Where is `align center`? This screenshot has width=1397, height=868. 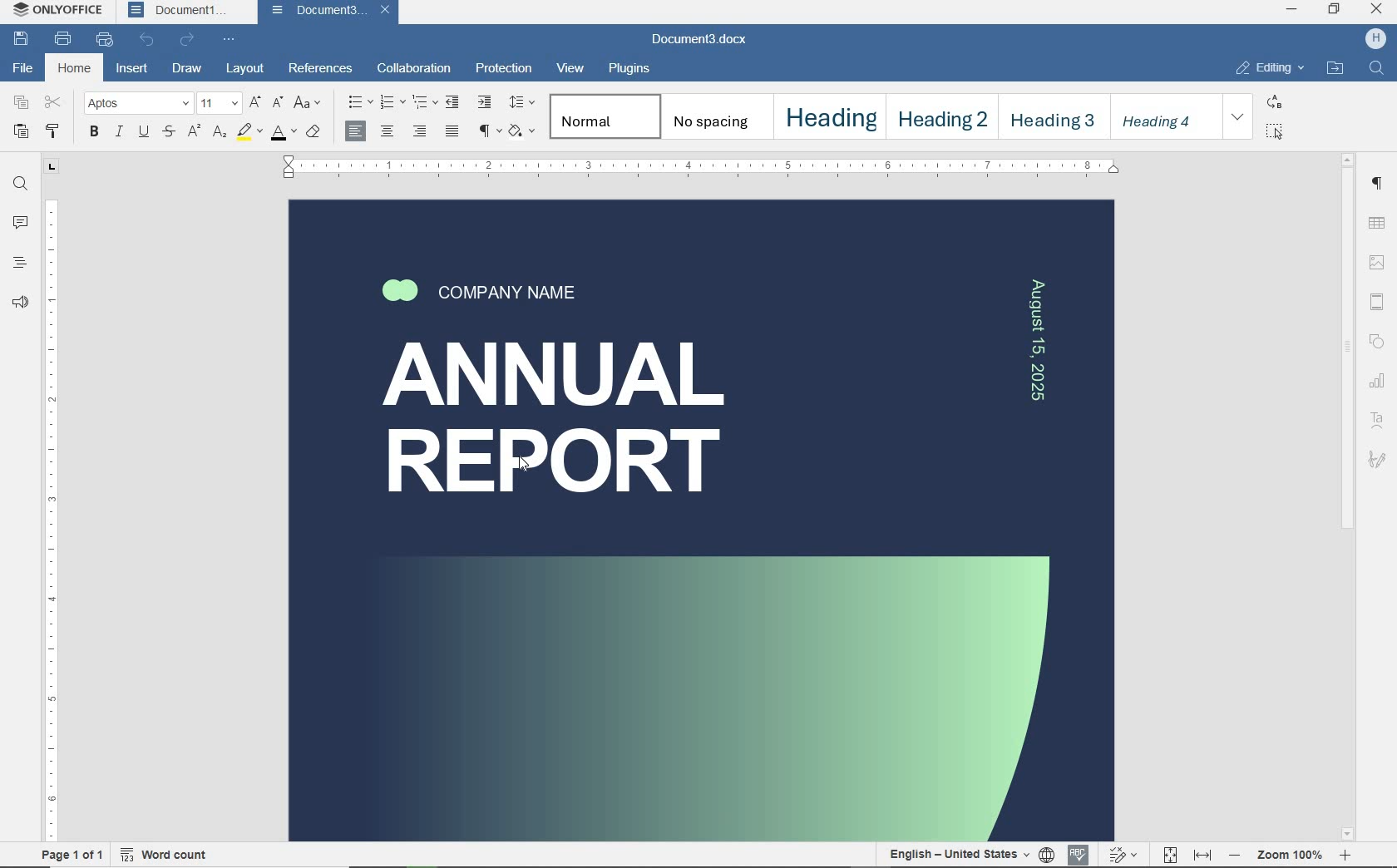 align center is located at coordinates (388, 131).